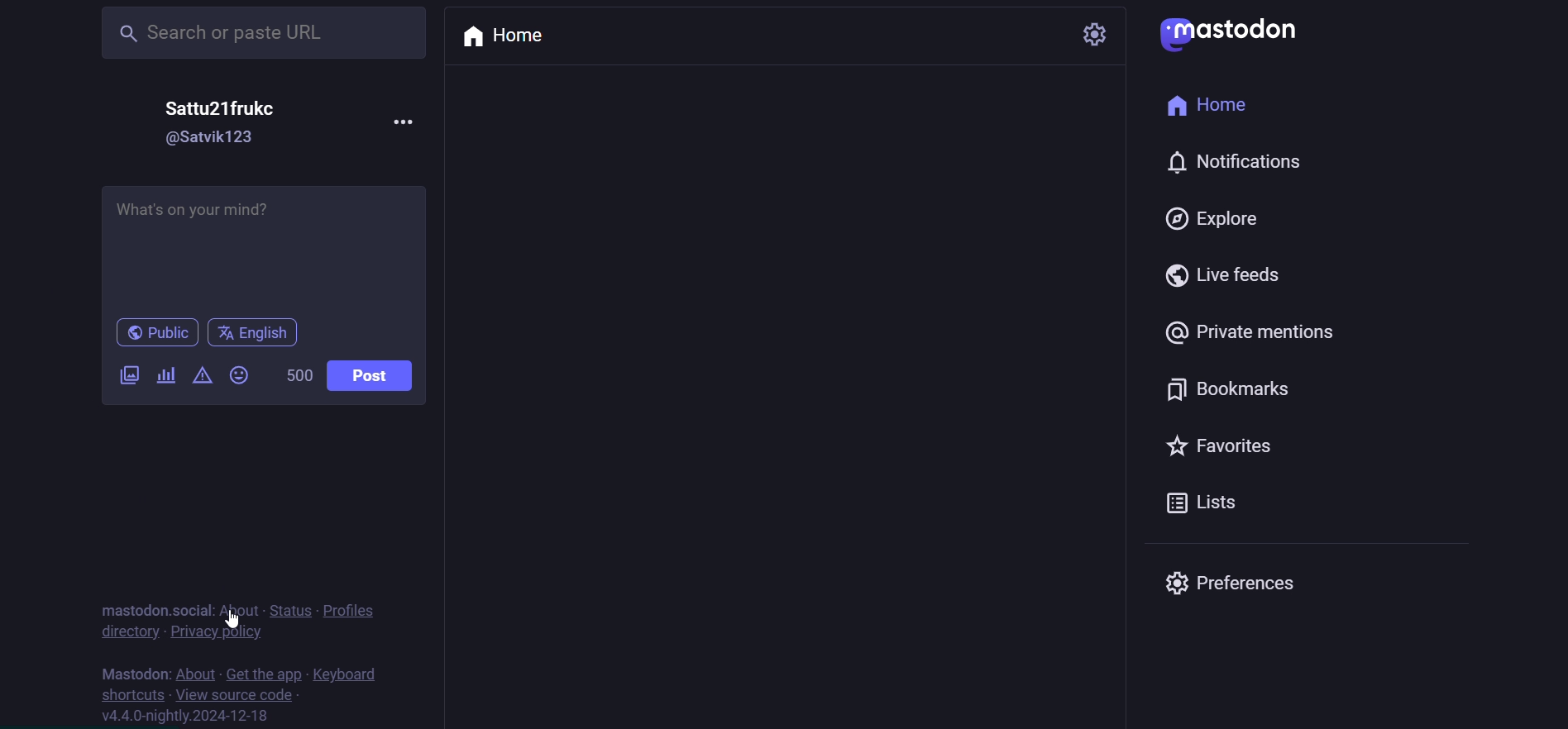 The width and height of the screenshot is (1568, 729). Describe the element at coordinates (213, 138) in the screenshot. I see `id` at that location.